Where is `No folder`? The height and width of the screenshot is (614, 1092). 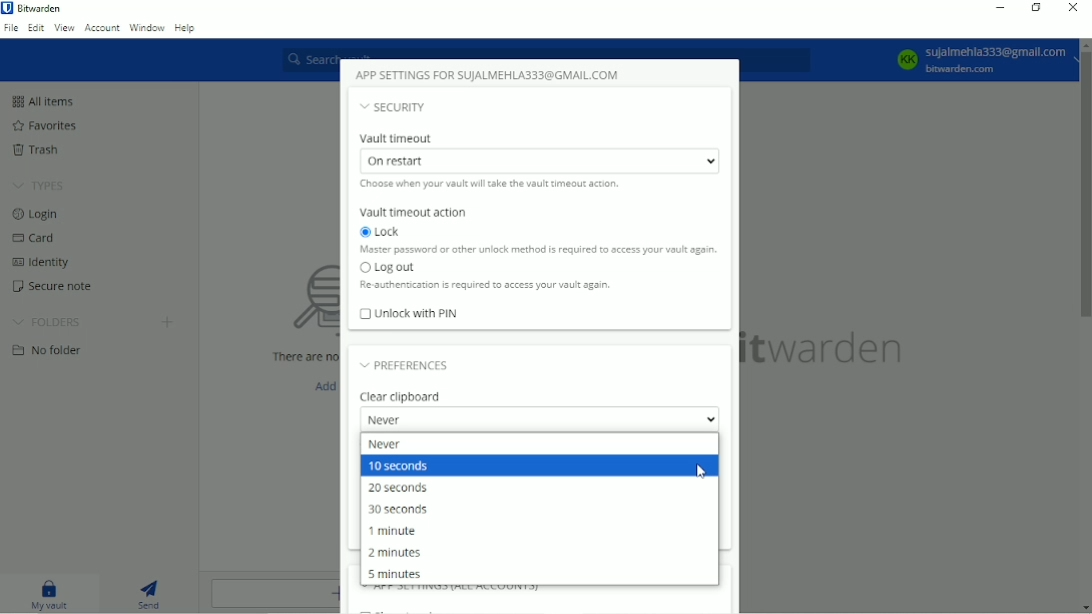
No folder is located at coordinates (49, 350).